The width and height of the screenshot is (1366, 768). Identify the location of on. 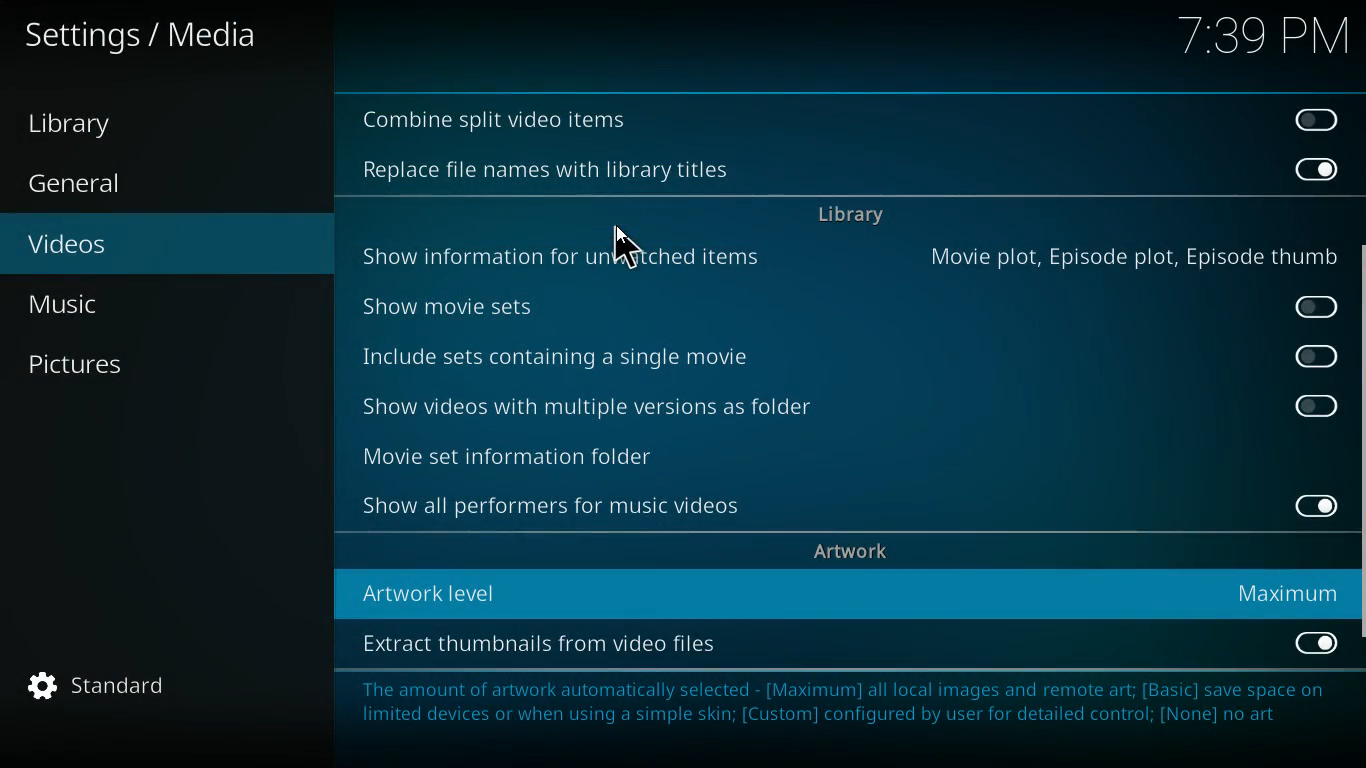
(1316, 168).